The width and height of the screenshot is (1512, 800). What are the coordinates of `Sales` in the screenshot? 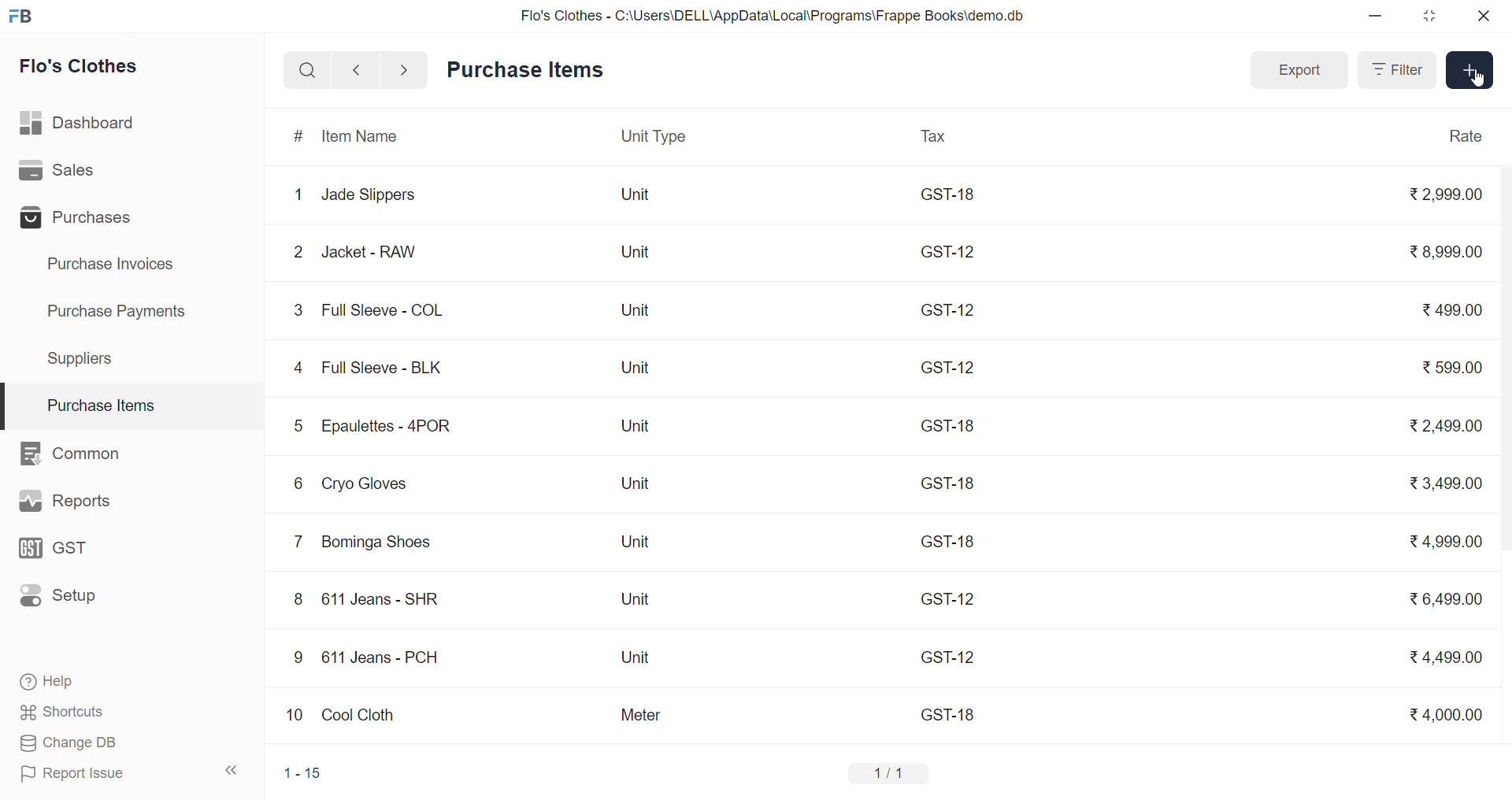 It's located at (81, 171).